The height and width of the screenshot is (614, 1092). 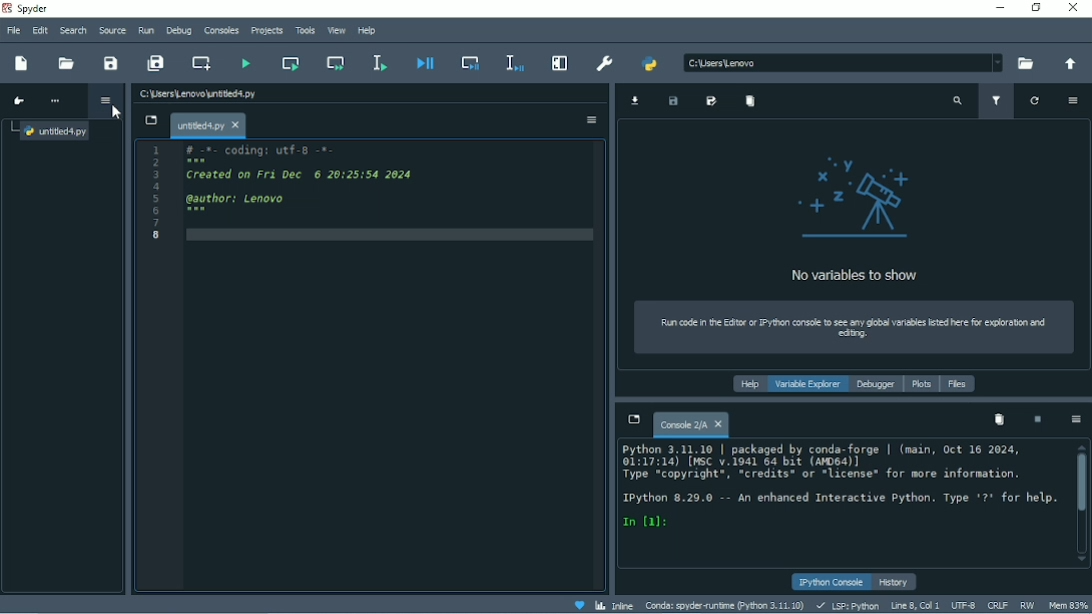 I want to click on Options, so click(x=104, y=99).